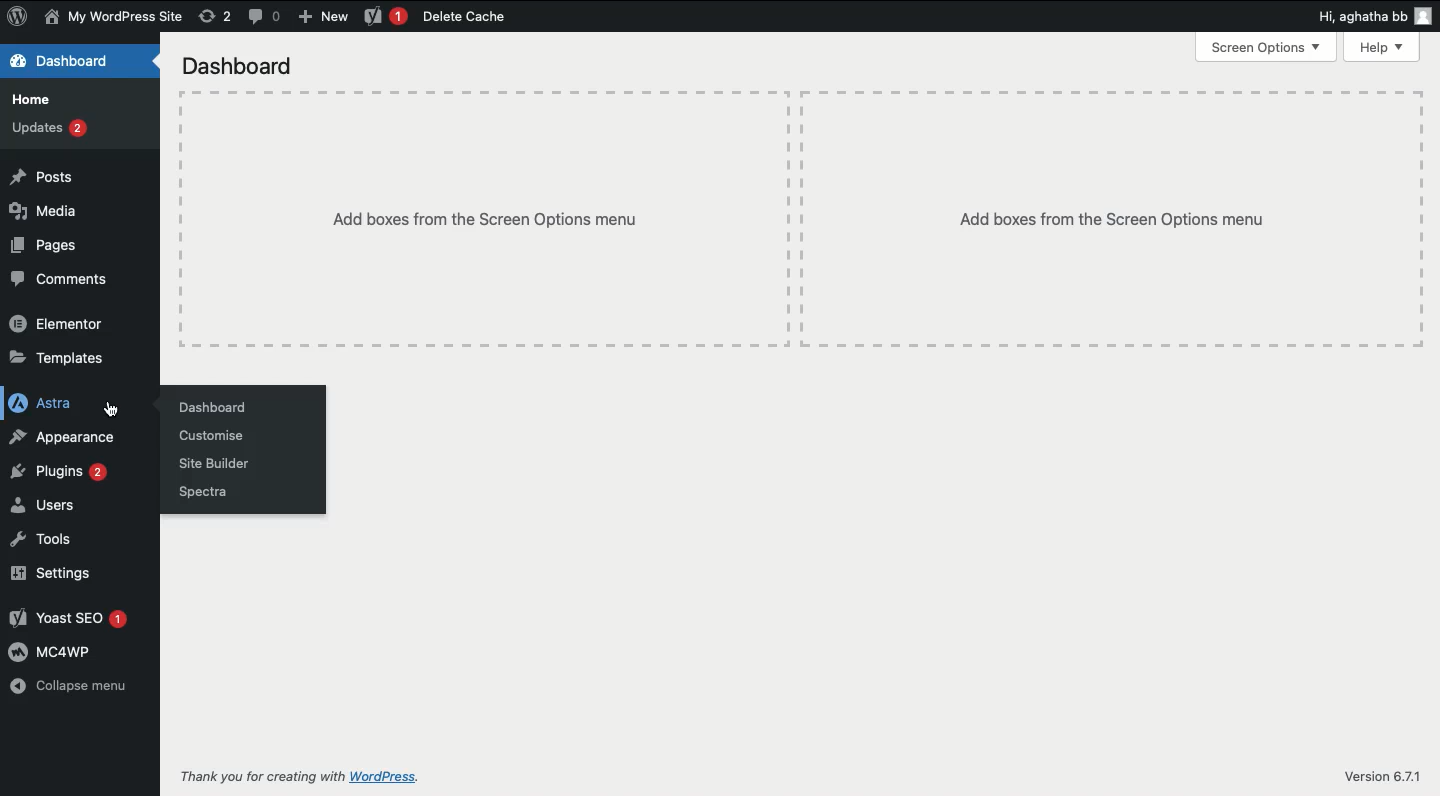 The image size is (1440, 796). I want to click on Dashboard, so click(247, 68).